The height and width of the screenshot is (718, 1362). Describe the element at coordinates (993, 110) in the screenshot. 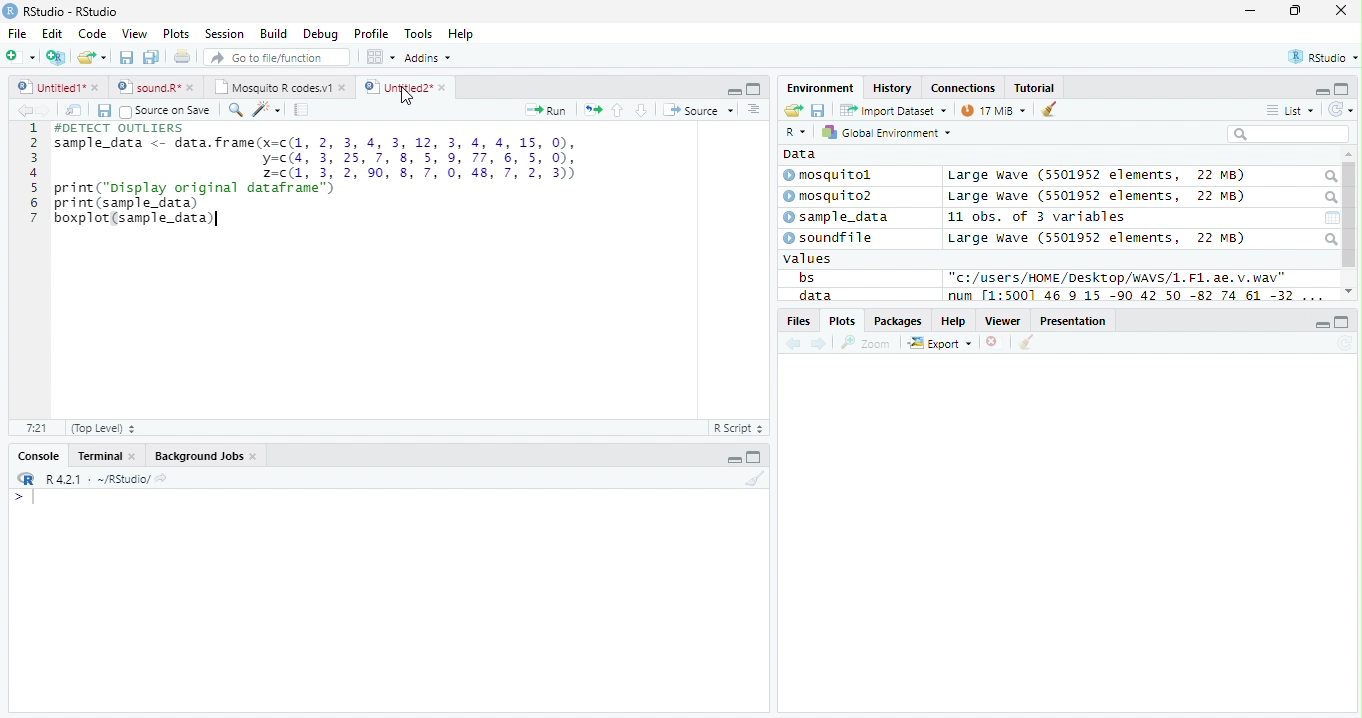

I see `17 MiB` at that location.